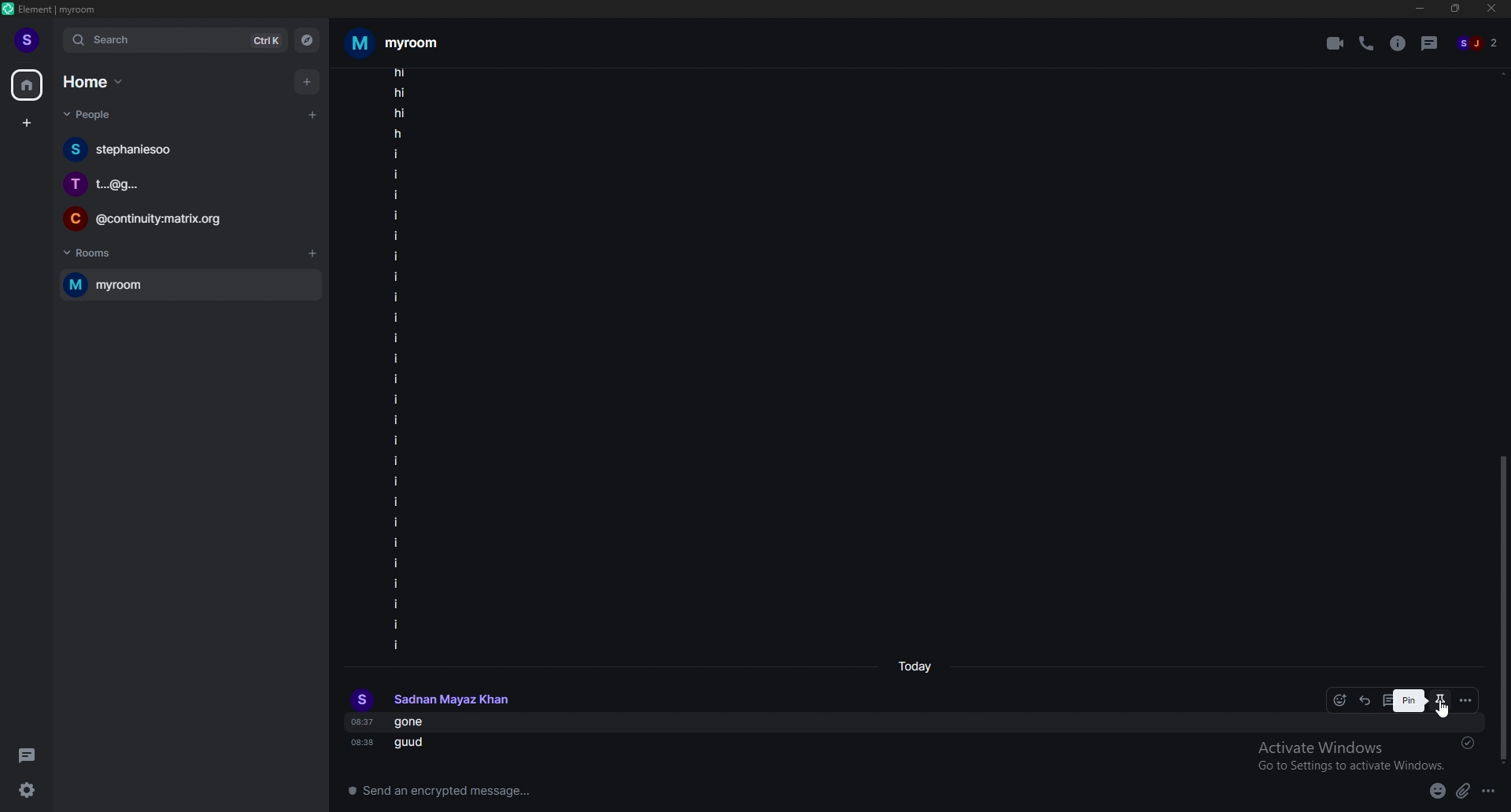  Describe the element at coordinates (26, 124) in the screenshot. I see `create space` at that location.